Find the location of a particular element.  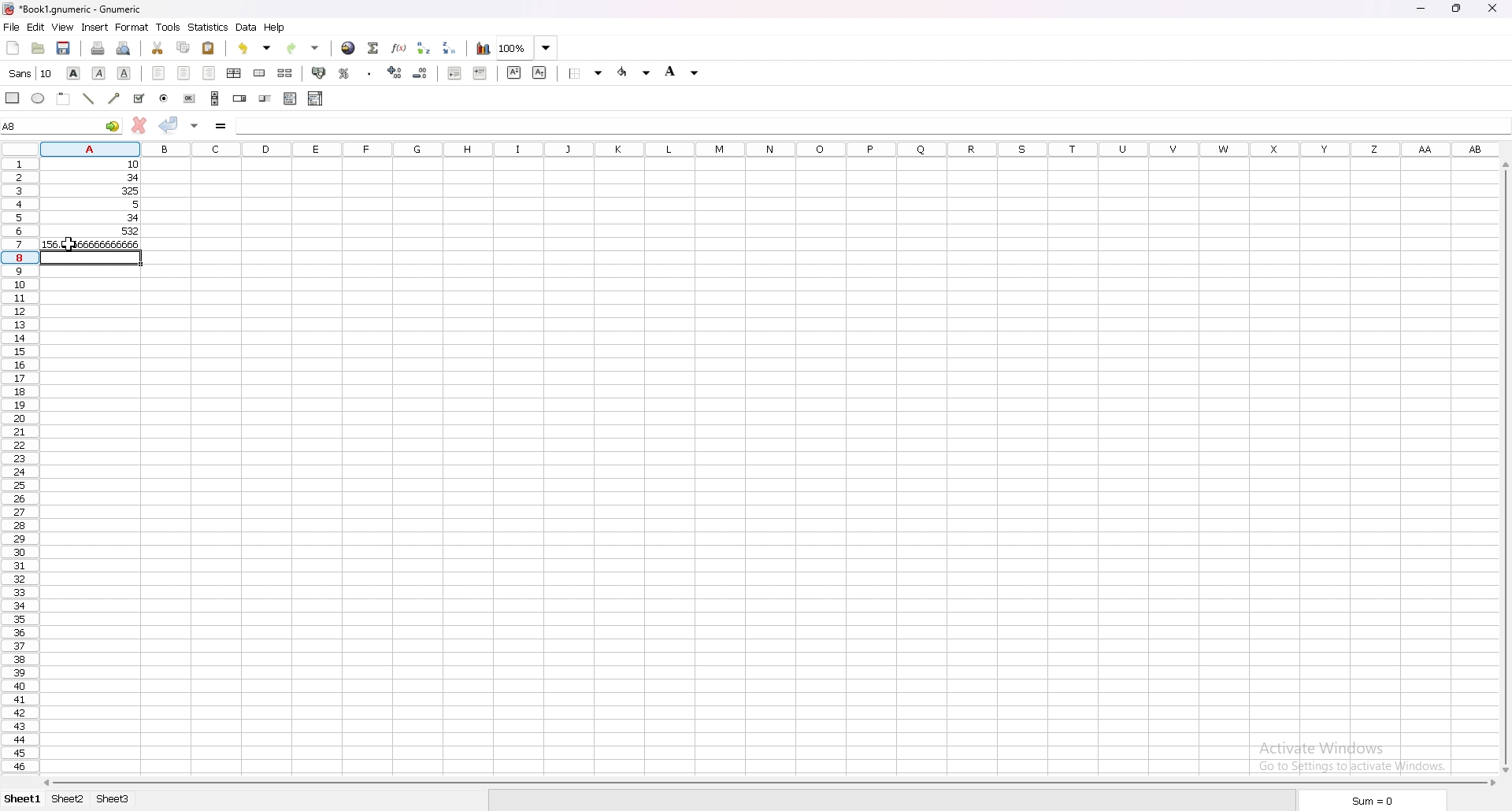

34 is located at coordinates (93, 218).